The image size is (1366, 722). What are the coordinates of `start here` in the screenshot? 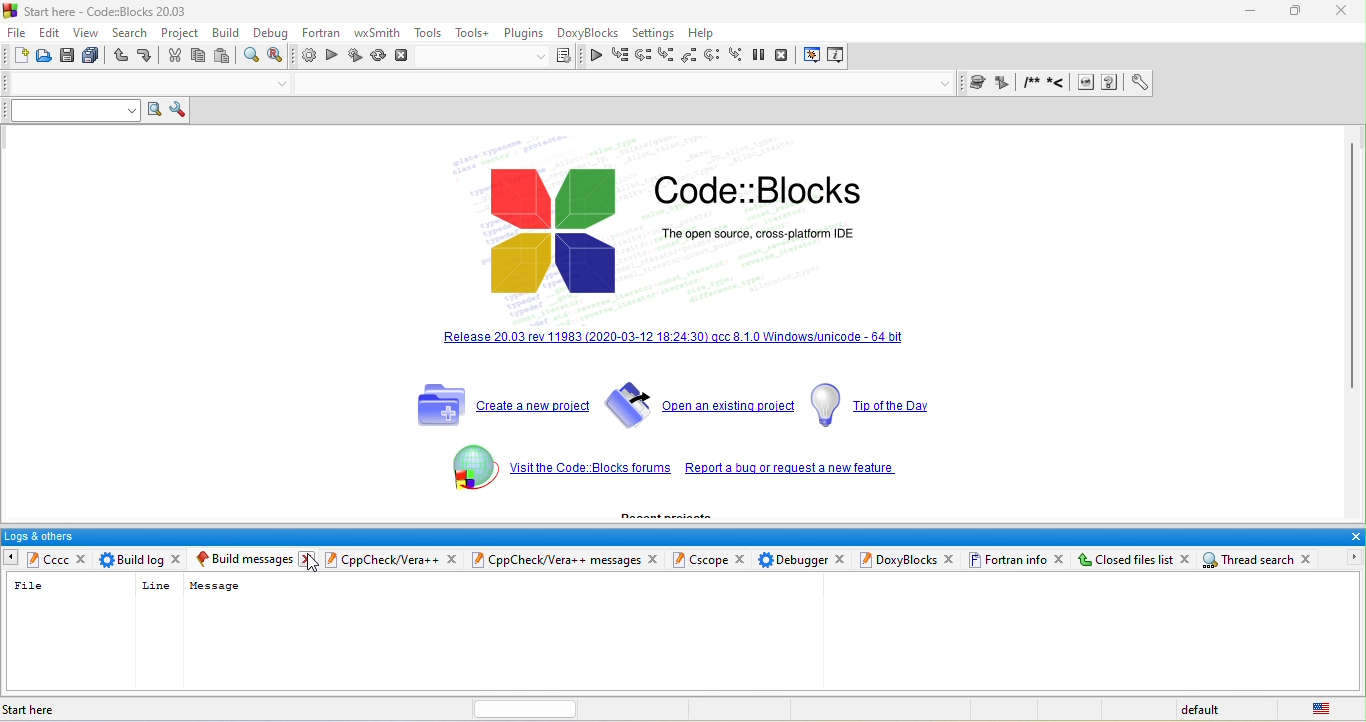 It's located at (37, 709).